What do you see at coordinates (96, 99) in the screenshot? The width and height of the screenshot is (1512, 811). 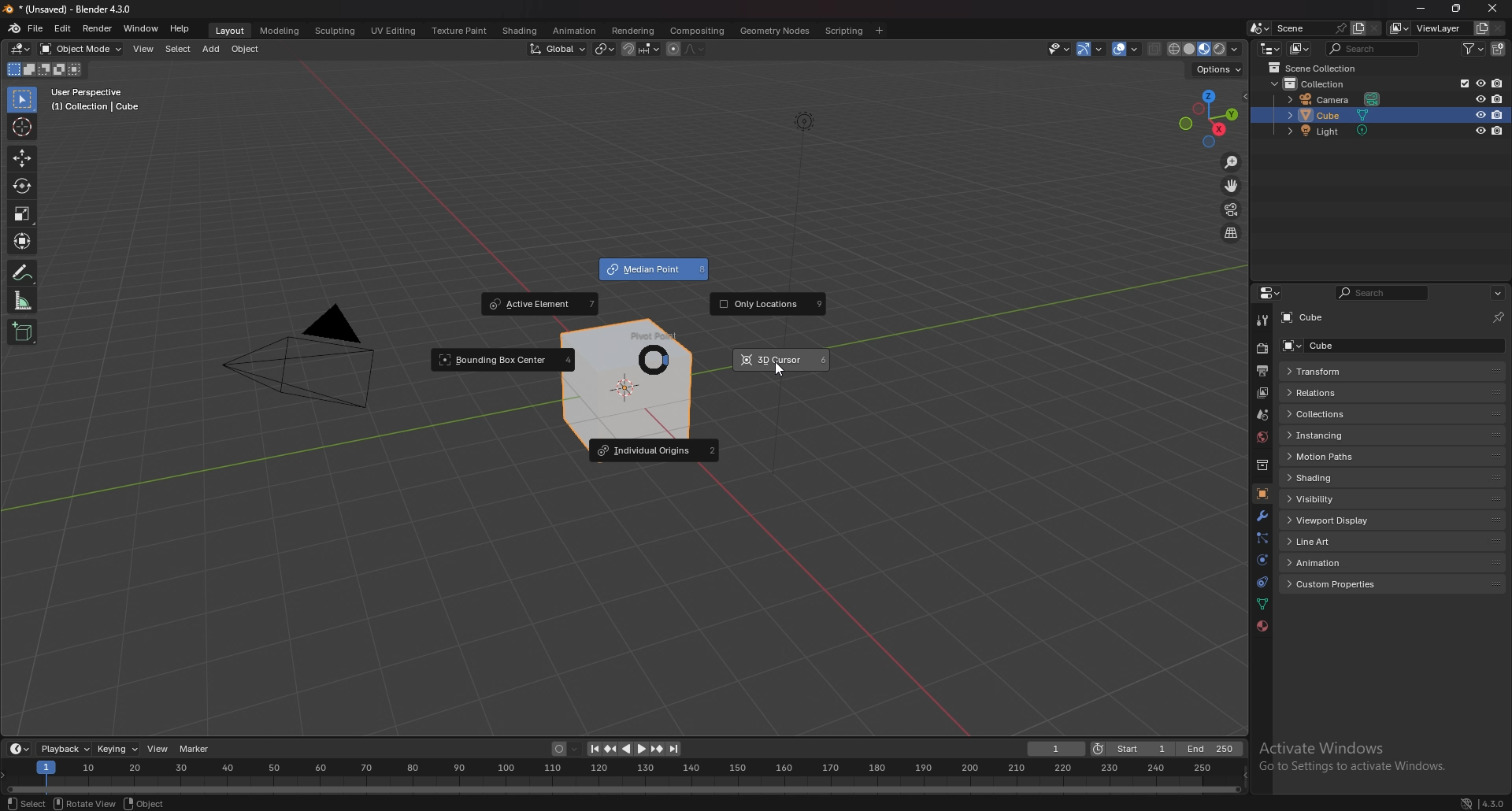 I see `info` at bounding box center [96, 99].